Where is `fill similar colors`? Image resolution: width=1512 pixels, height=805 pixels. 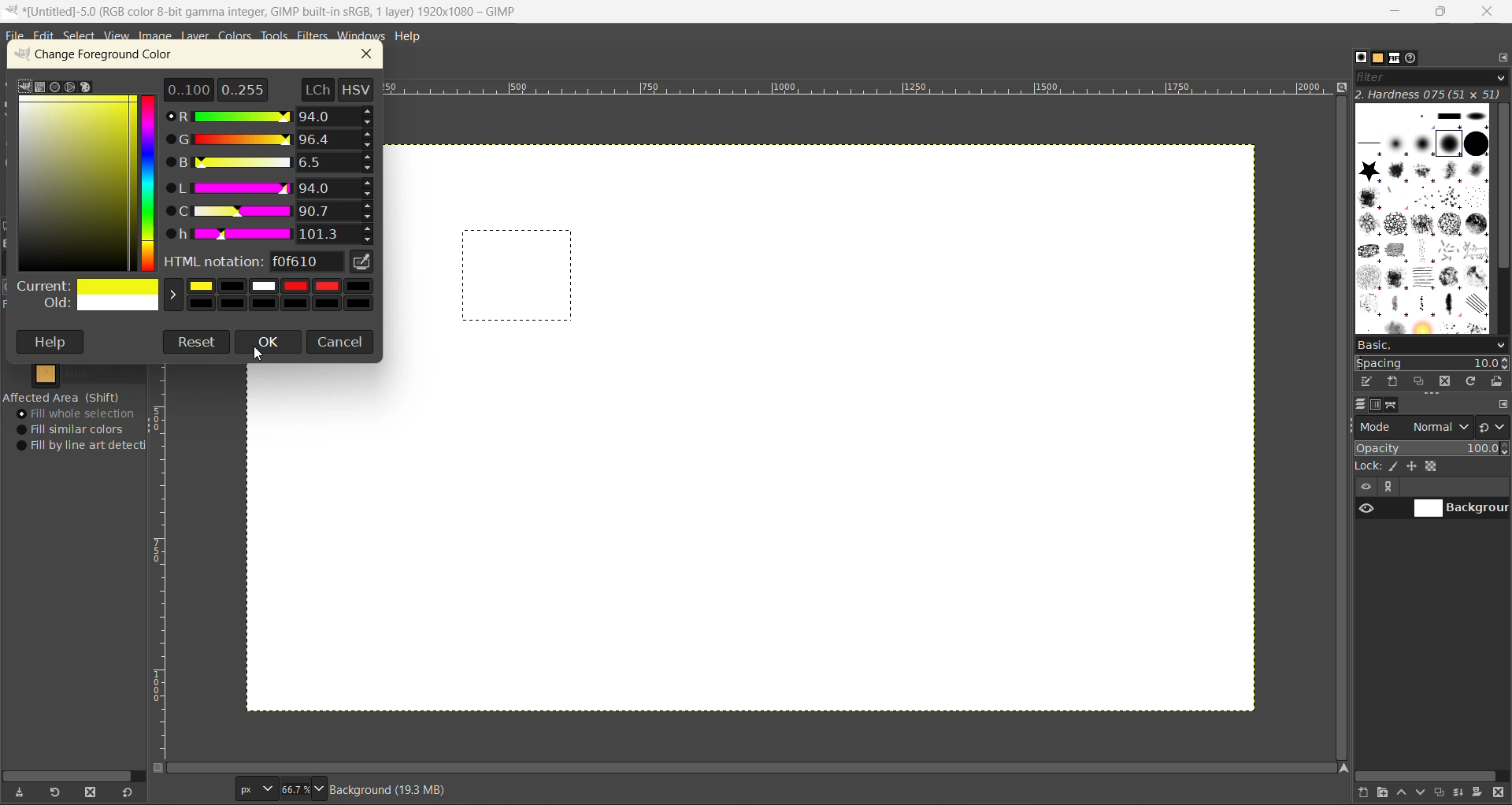 fill similar colors is located at coordinates (76, 429).